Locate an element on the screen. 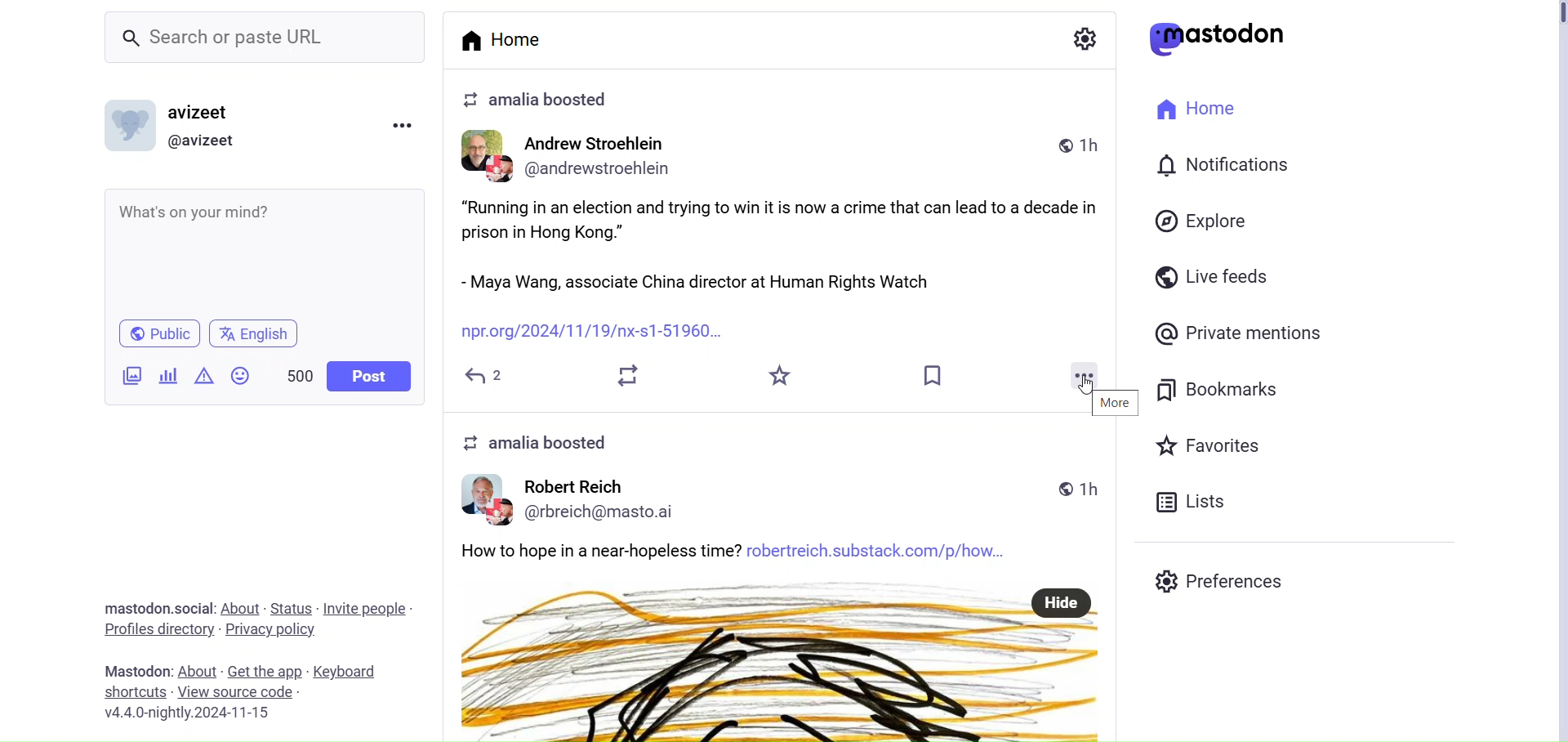 The width and height of the screenshot is (1568, 742). Shortcuts is located at coordinates (136, 691).